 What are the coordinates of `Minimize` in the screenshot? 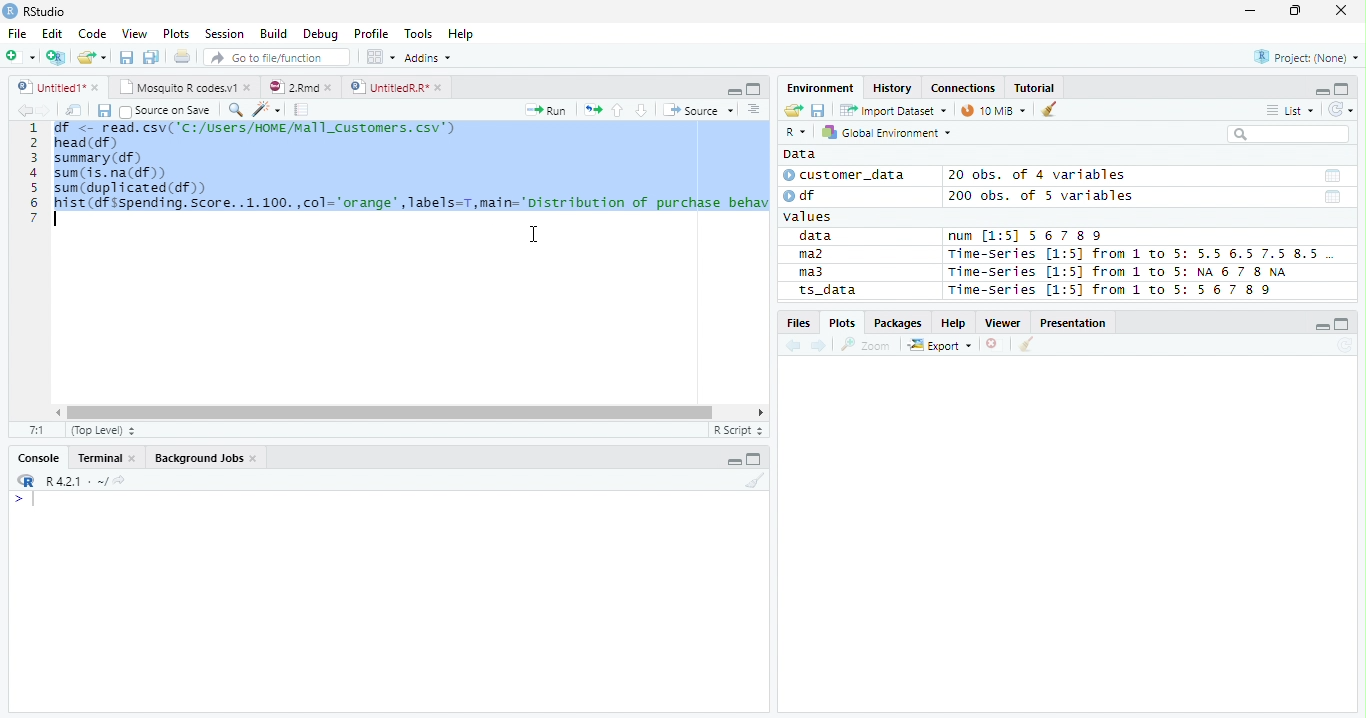 It's located at (1323, 328).